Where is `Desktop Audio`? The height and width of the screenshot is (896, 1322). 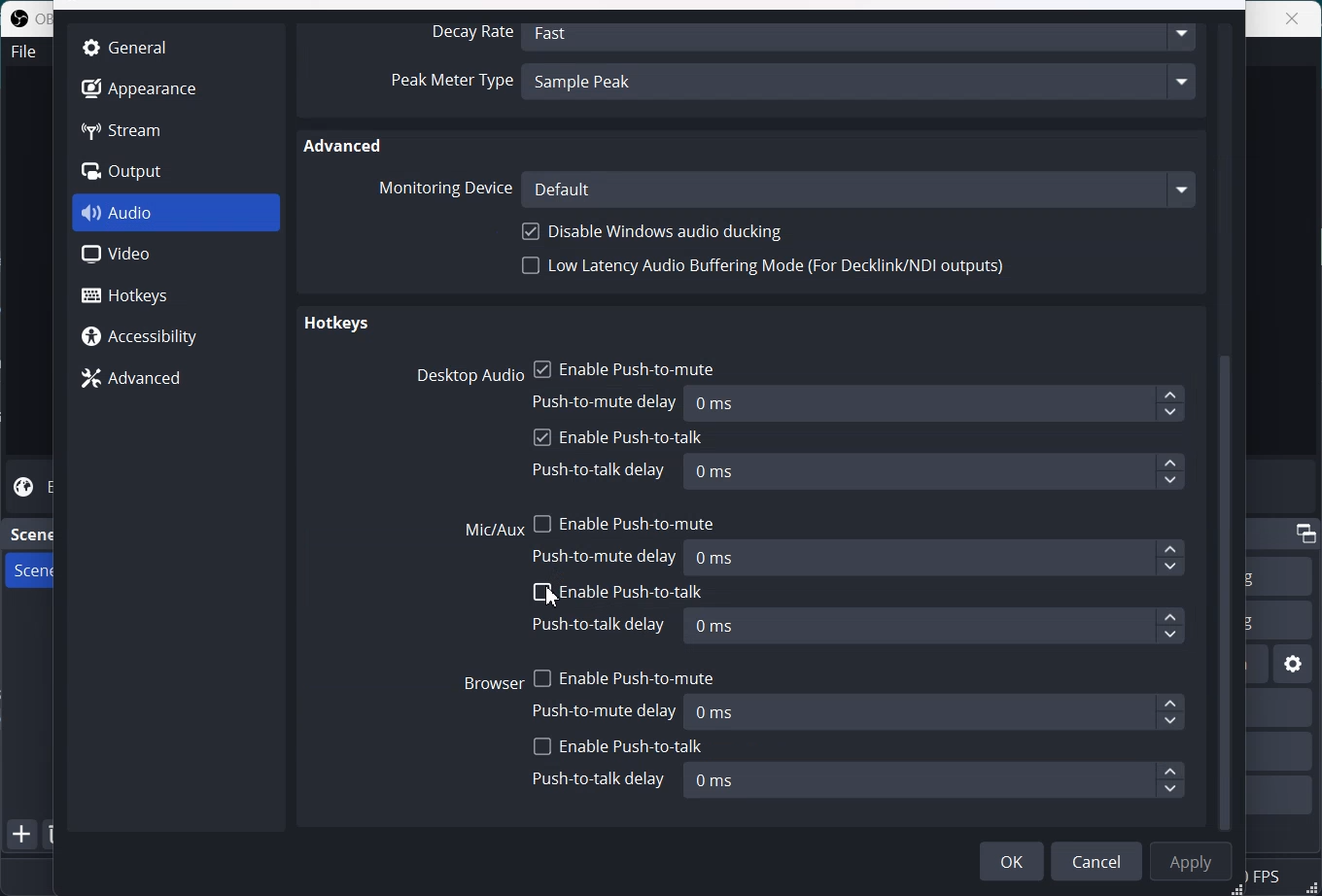 Desktop Audio is located at coordinates (466, 375).